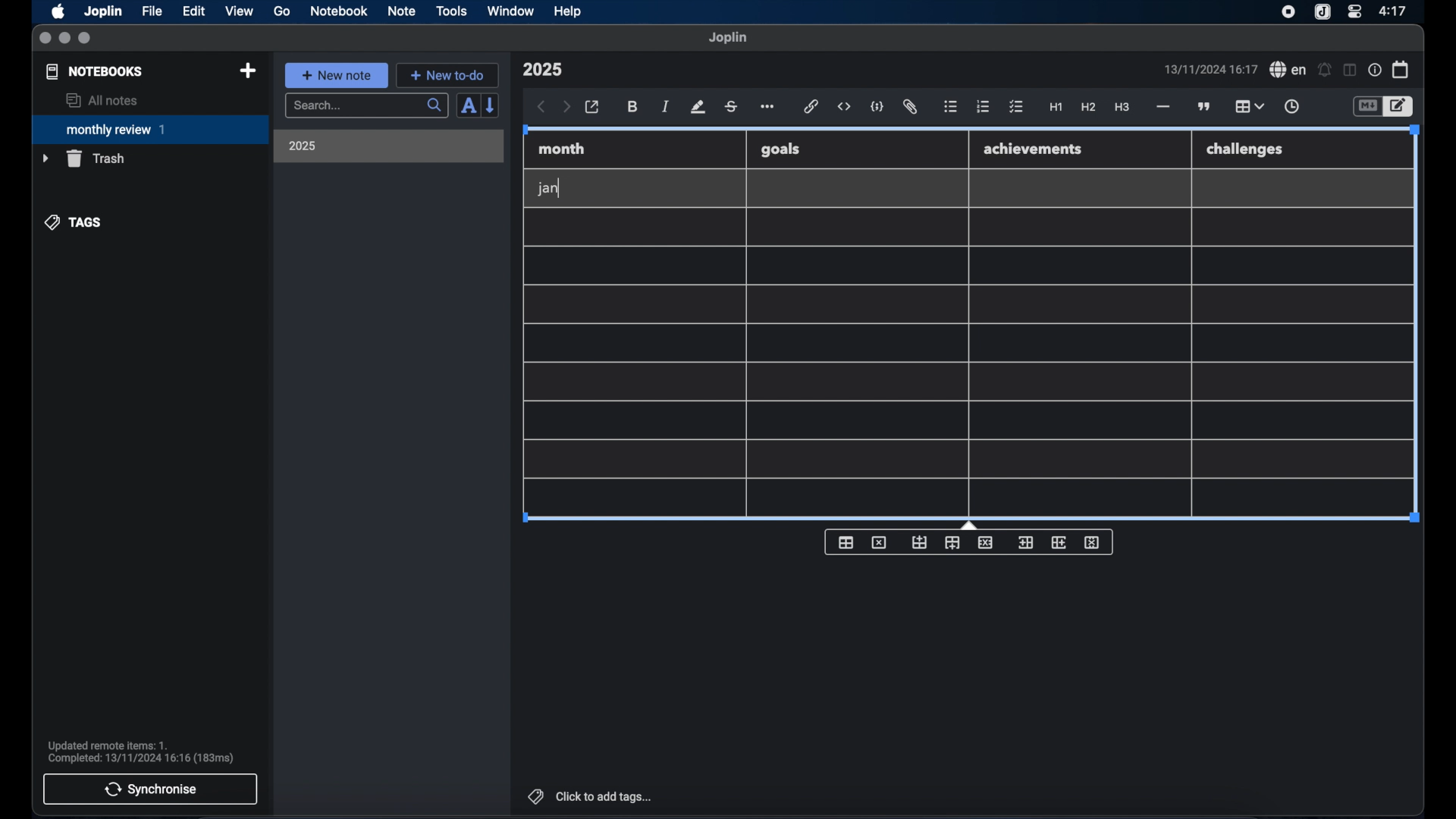 This screenshot has width=1456, height=819. Describe the element at coordinates (542, 70) in the screenshot. I see `note title` at that location.